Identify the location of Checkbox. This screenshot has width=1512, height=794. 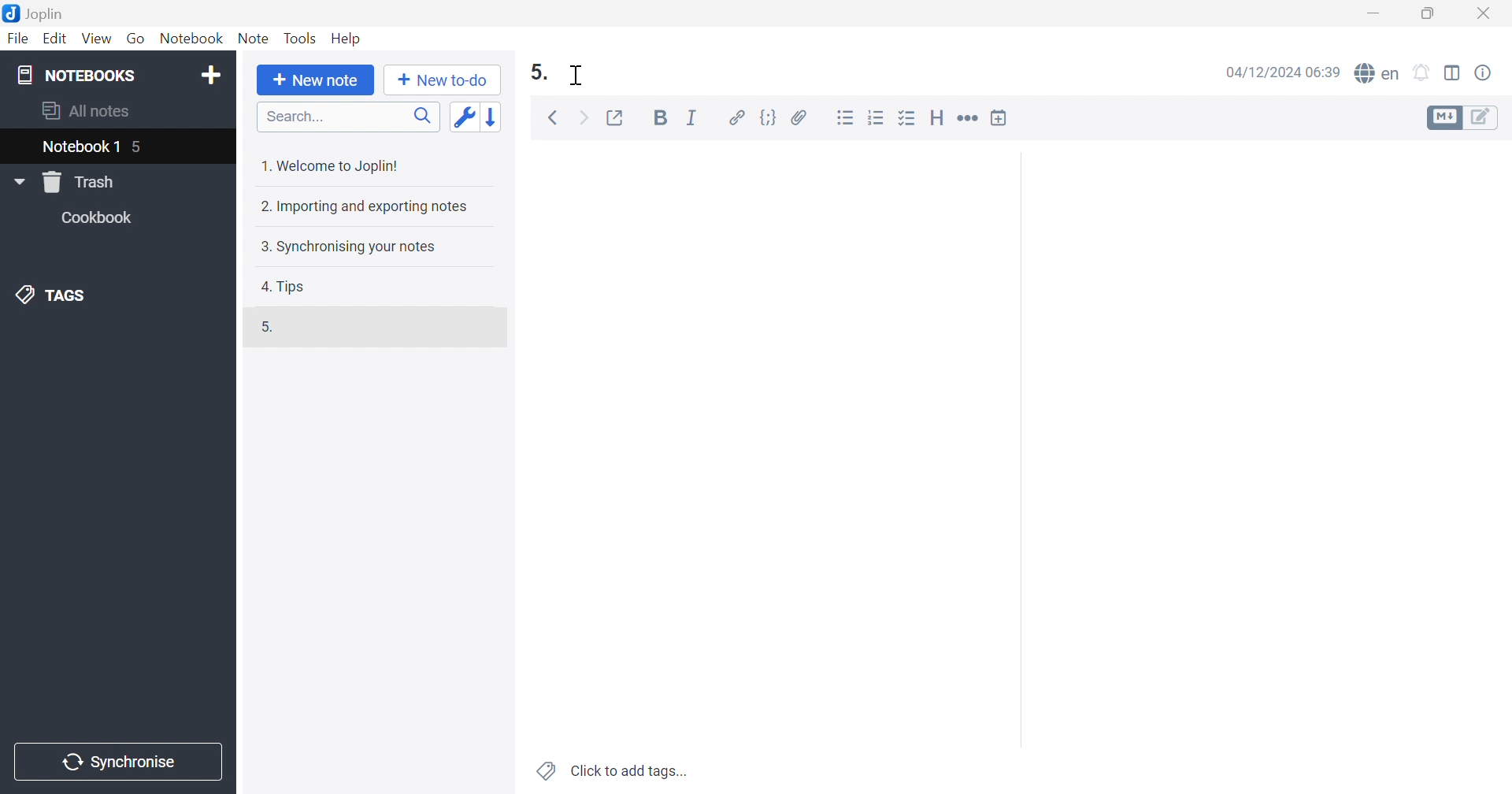
(908, 119).